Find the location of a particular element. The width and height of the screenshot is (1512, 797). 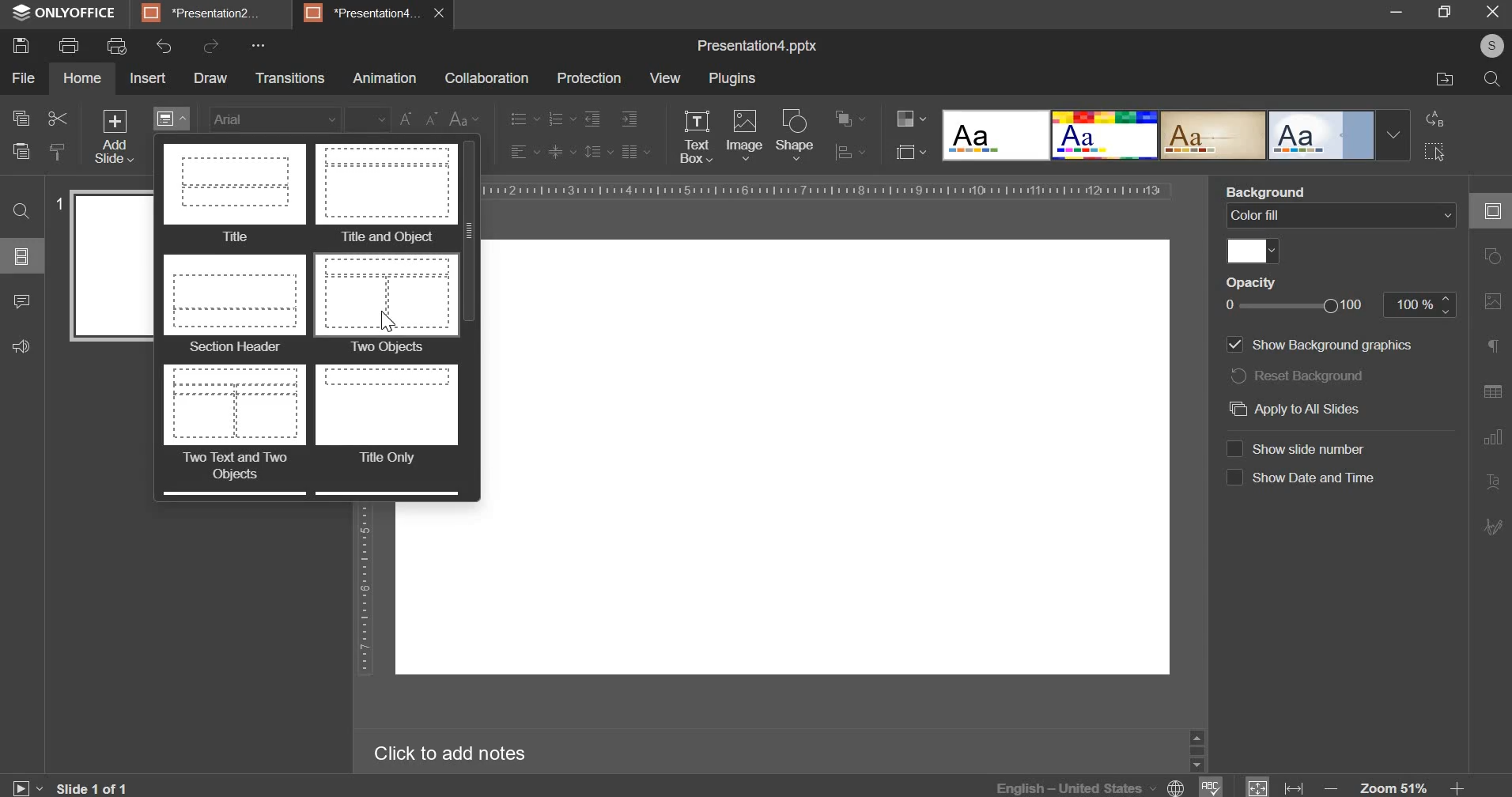

print preview is located at coordinates (116, 46).